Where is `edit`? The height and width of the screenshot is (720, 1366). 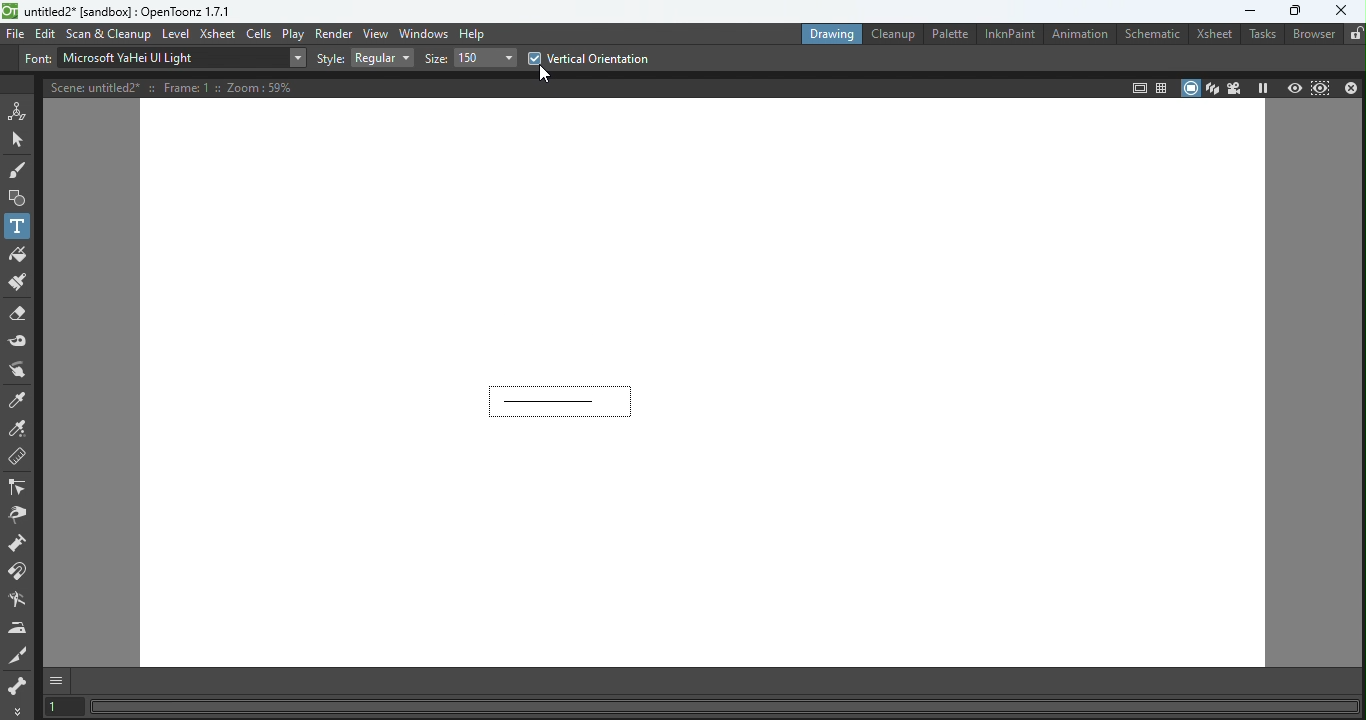
edit is located at coordinates (48, 34).